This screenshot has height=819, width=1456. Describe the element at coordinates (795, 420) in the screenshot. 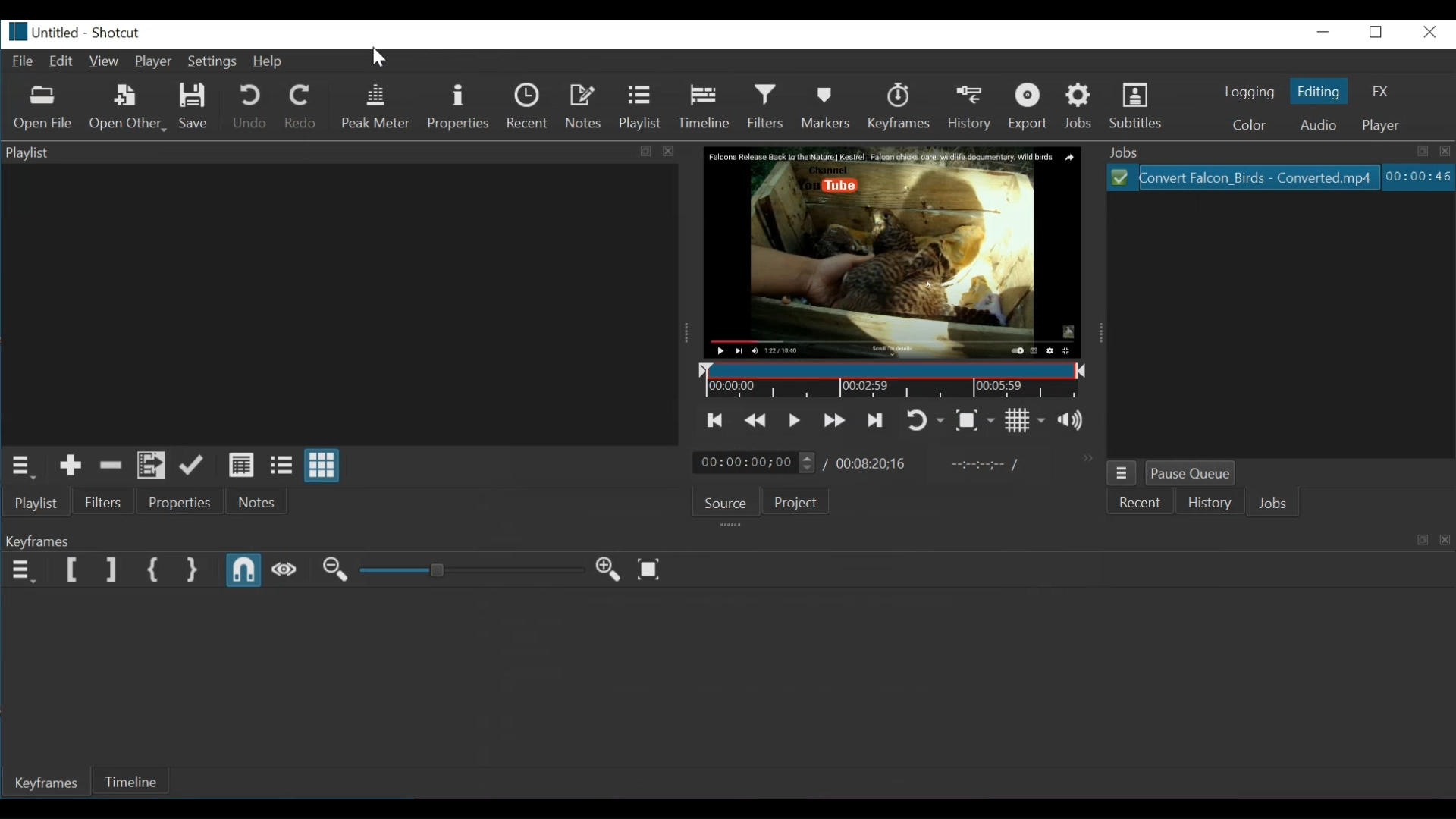

I see `Toggle play or pause` at that location.